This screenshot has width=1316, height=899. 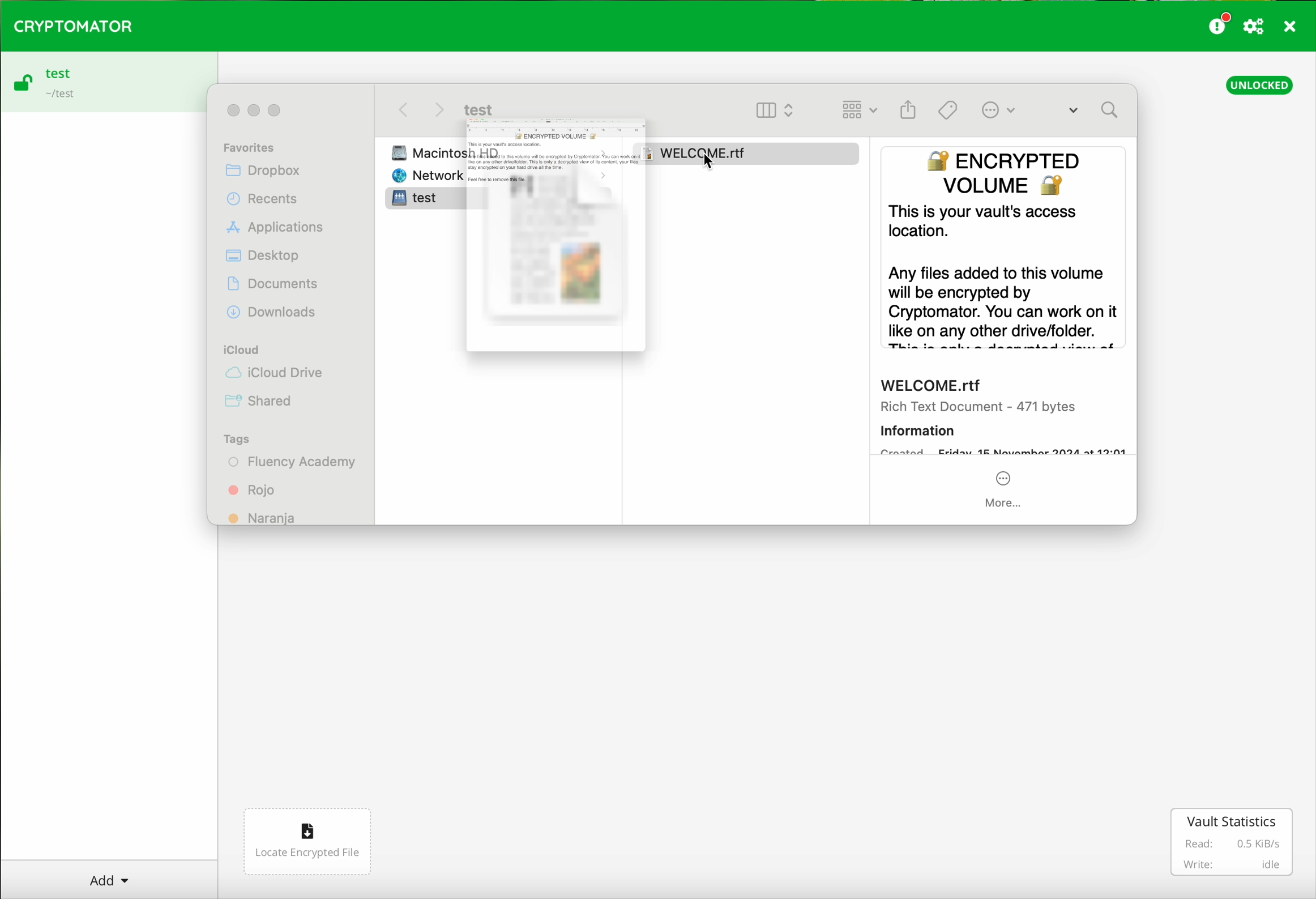 What do you see at coordinates (908, 106) in the screenshot?
I see `Gallery View` at bounding box center [908, 106].